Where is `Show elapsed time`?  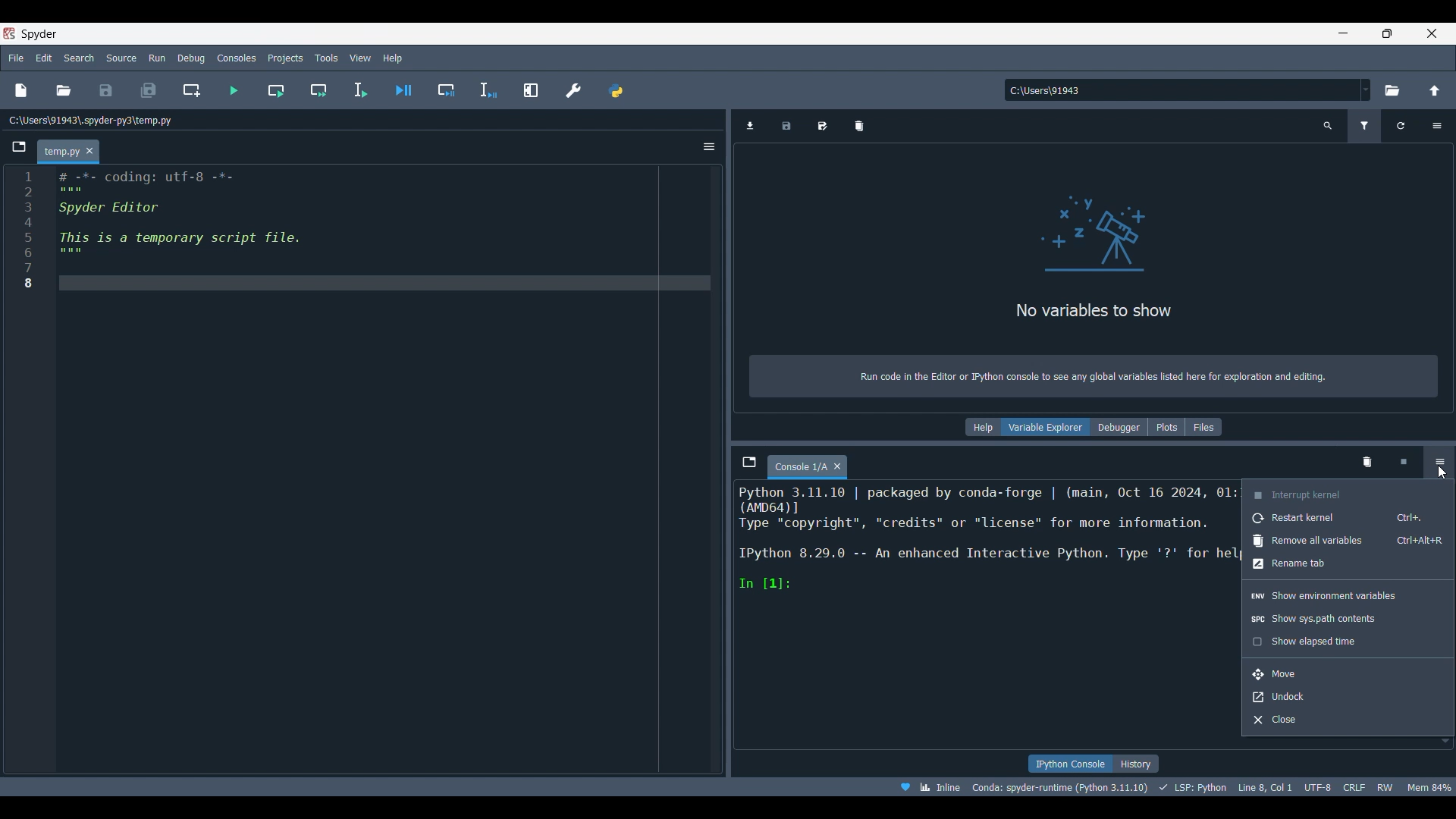
Show elapsed time is located at coordinates (1348, 642).